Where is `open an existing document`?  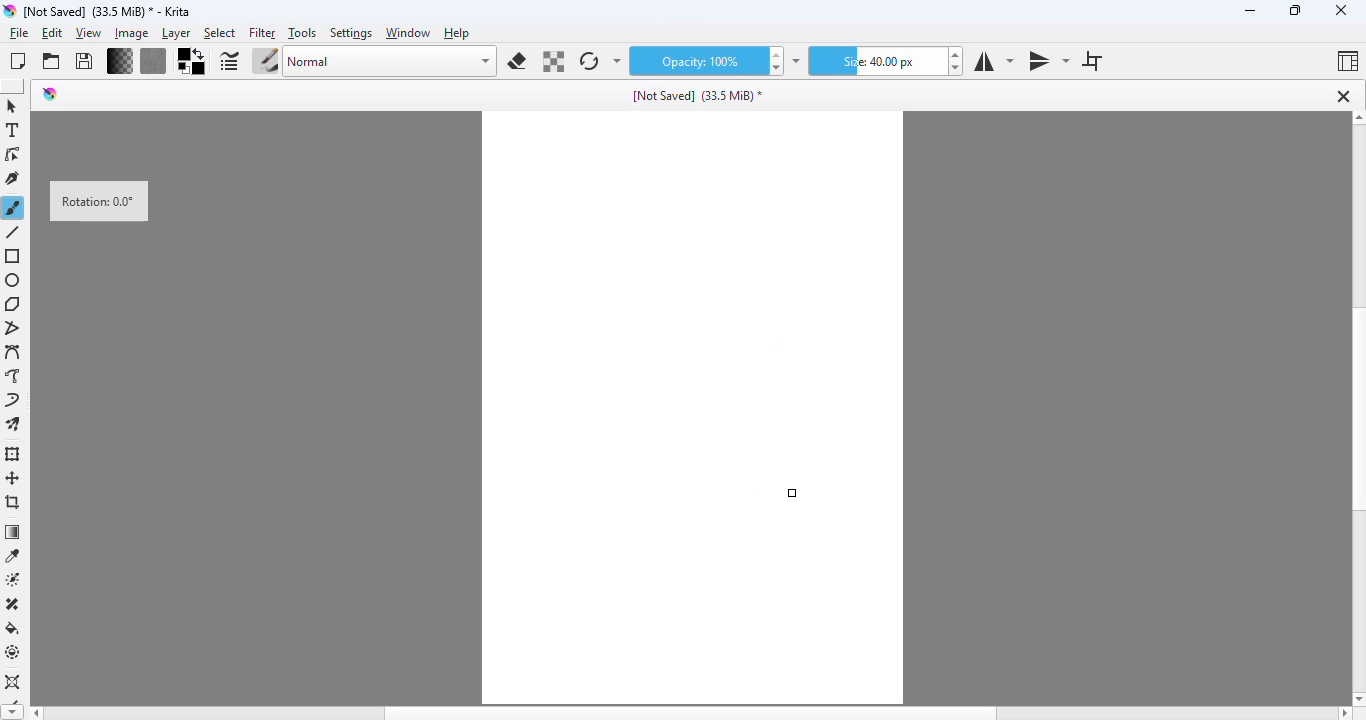 open an existing document is located at coordinates (51, 62).